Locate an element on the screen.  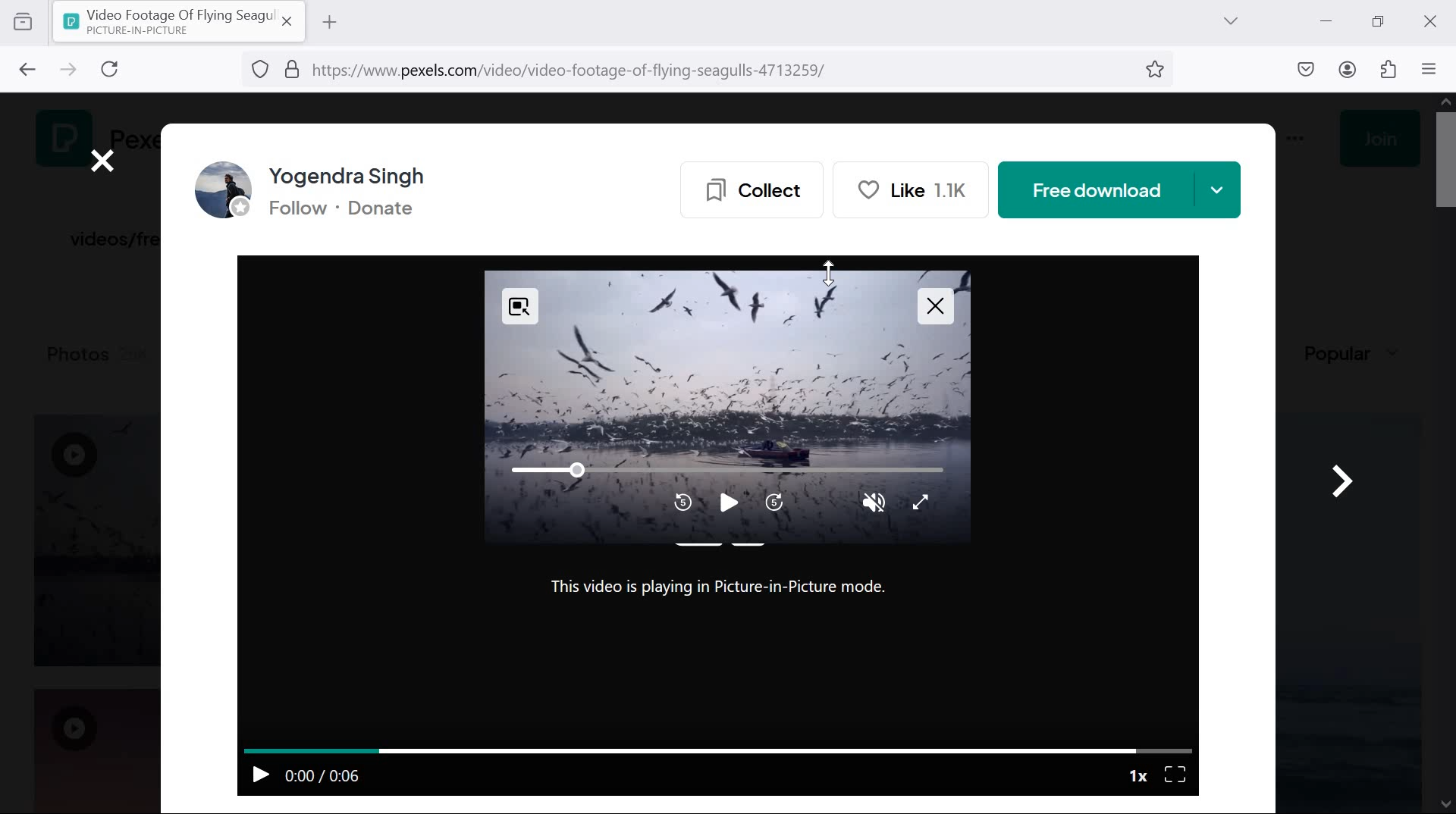
Video Footage Of Flying Seagu is located at coordinates (165, 21).